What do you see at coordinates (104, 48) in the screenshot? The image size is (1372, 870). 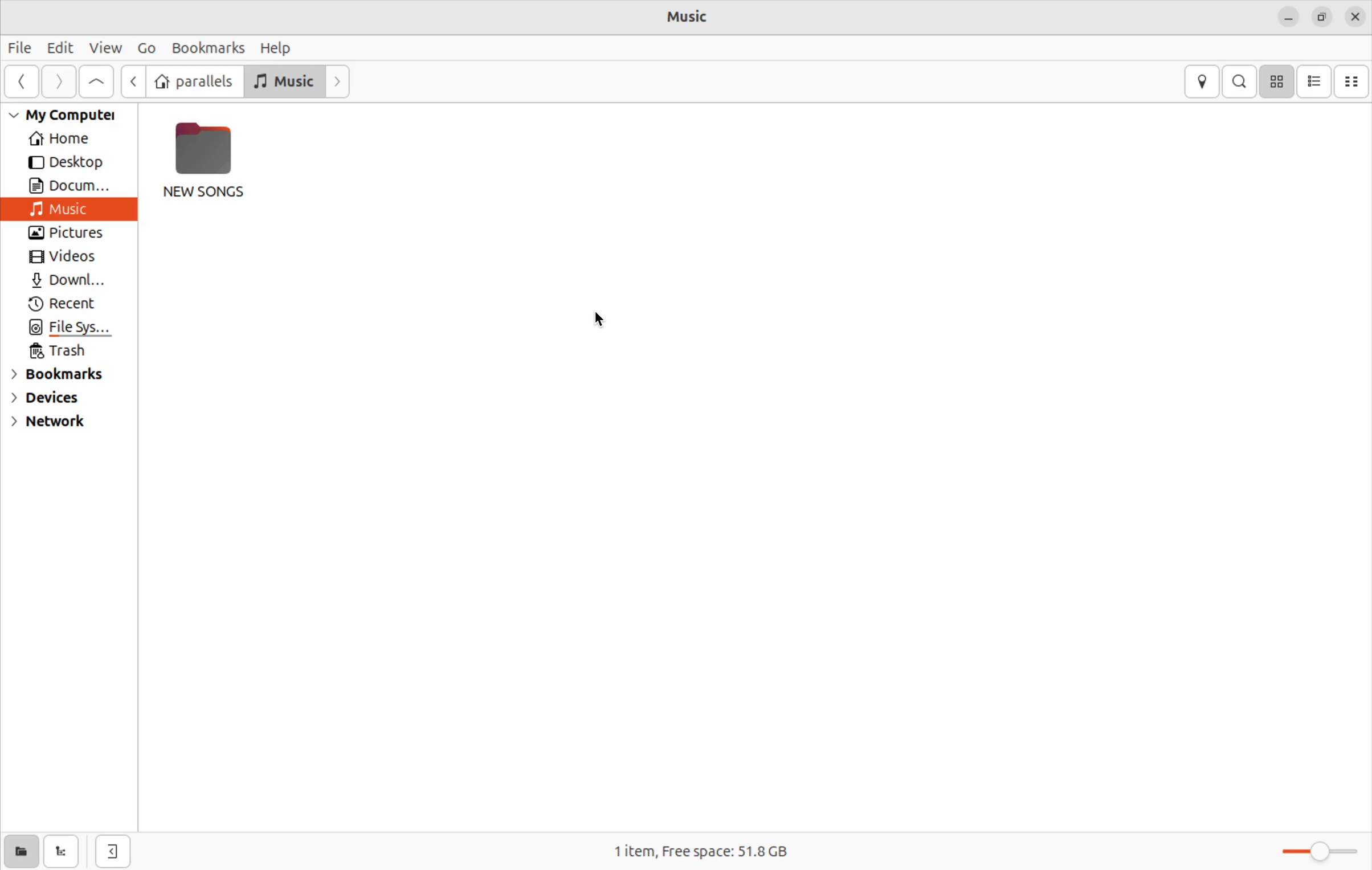 I see `View` at bounding box center [104, 48].